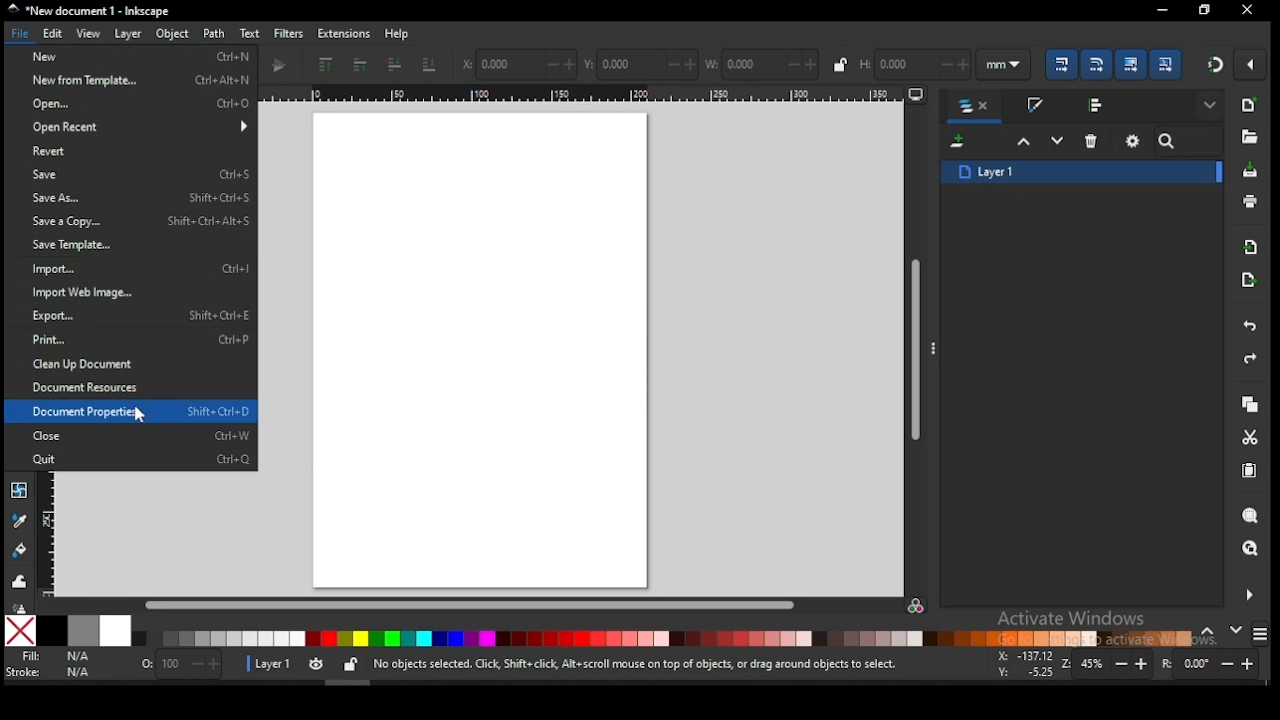 This screenshot has height=720, width=1280. I want to click on units, so click(1004, 65).